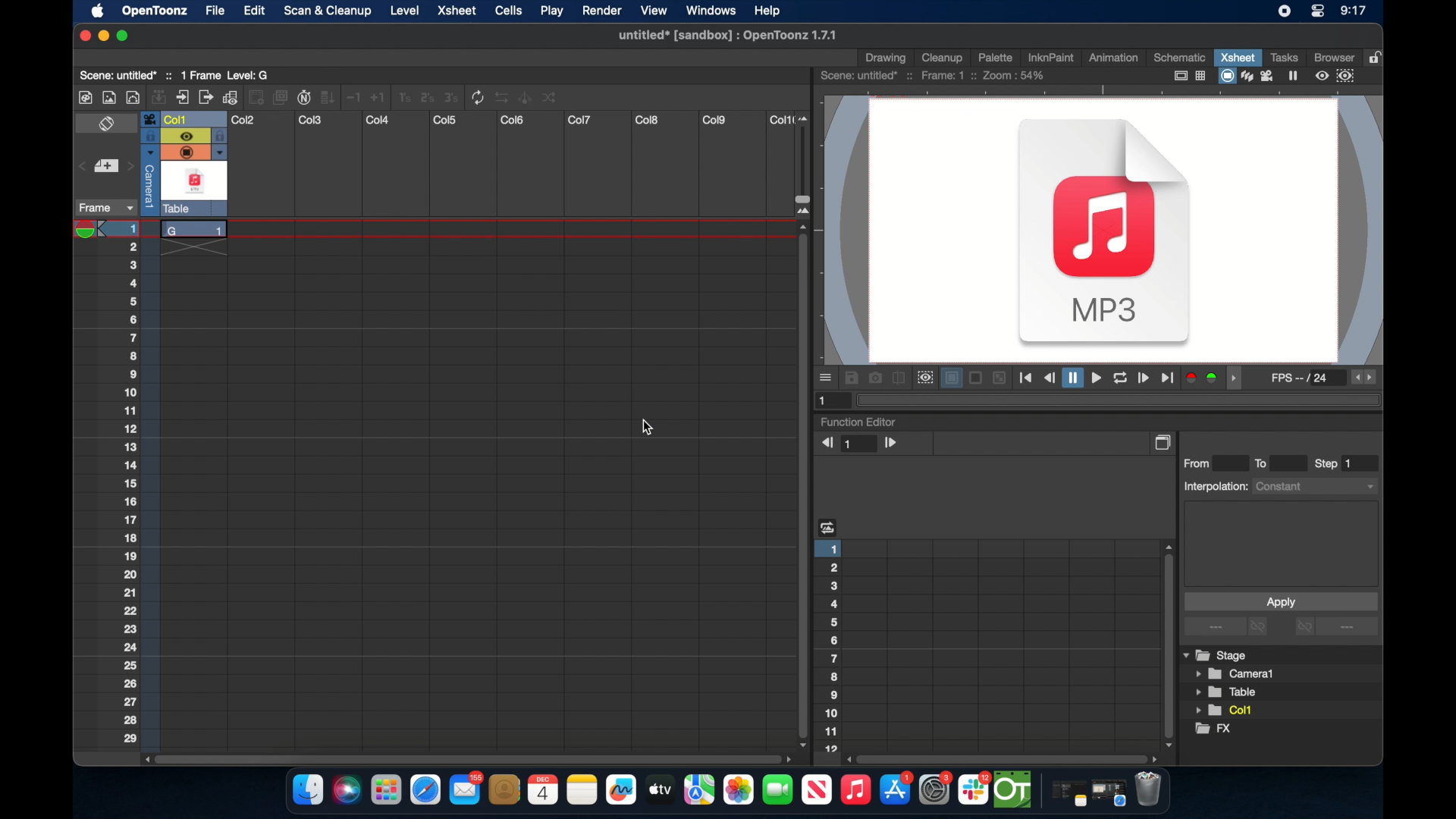 The height and width of the screenshot is (819, 1456). I want to click on preview, so click(924, 378).